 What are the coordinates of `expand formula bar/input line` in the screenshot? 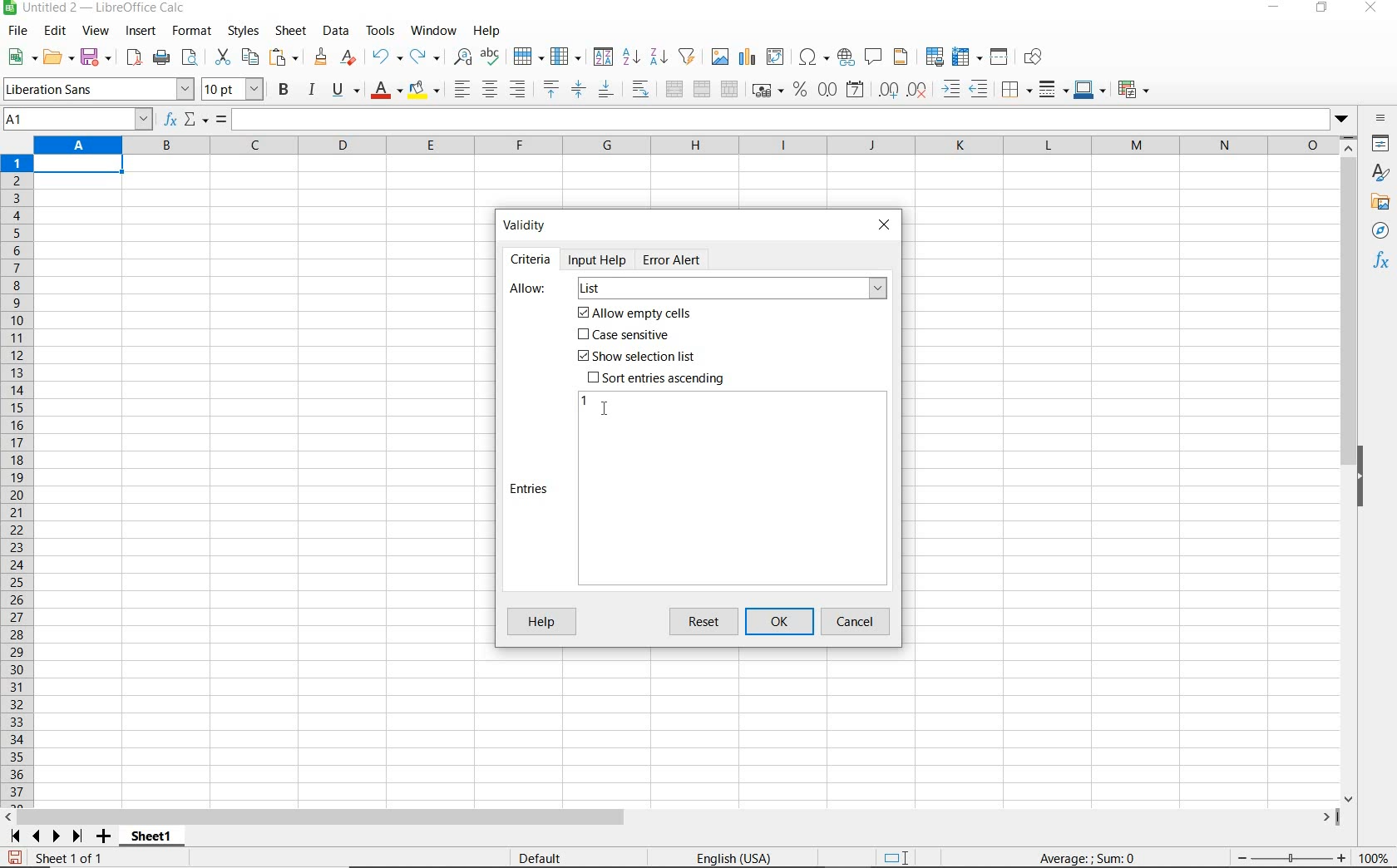 It's located at (777, 121).